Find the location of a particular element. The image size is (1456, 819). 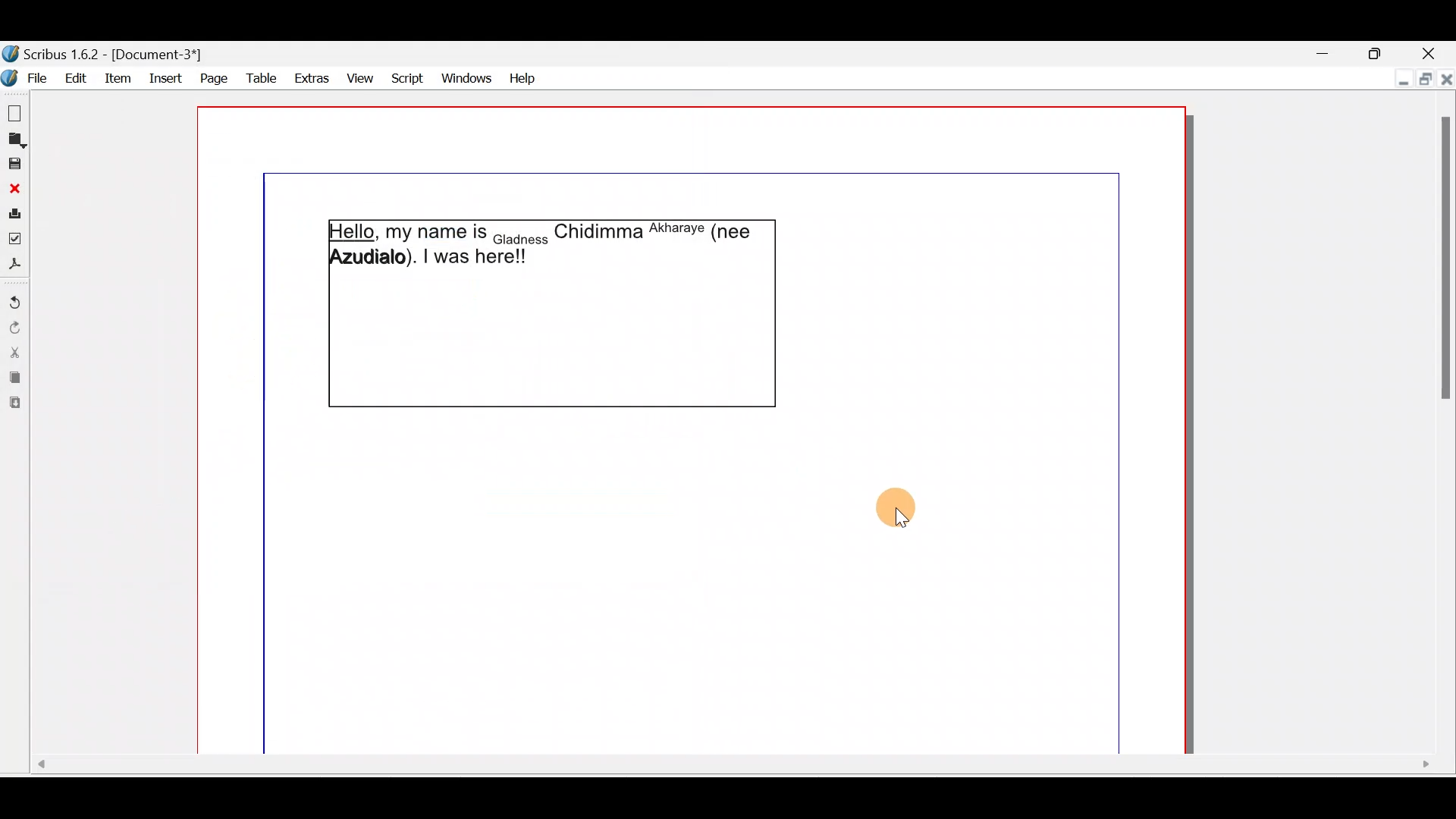

Save is located at coordinates (15, 166).